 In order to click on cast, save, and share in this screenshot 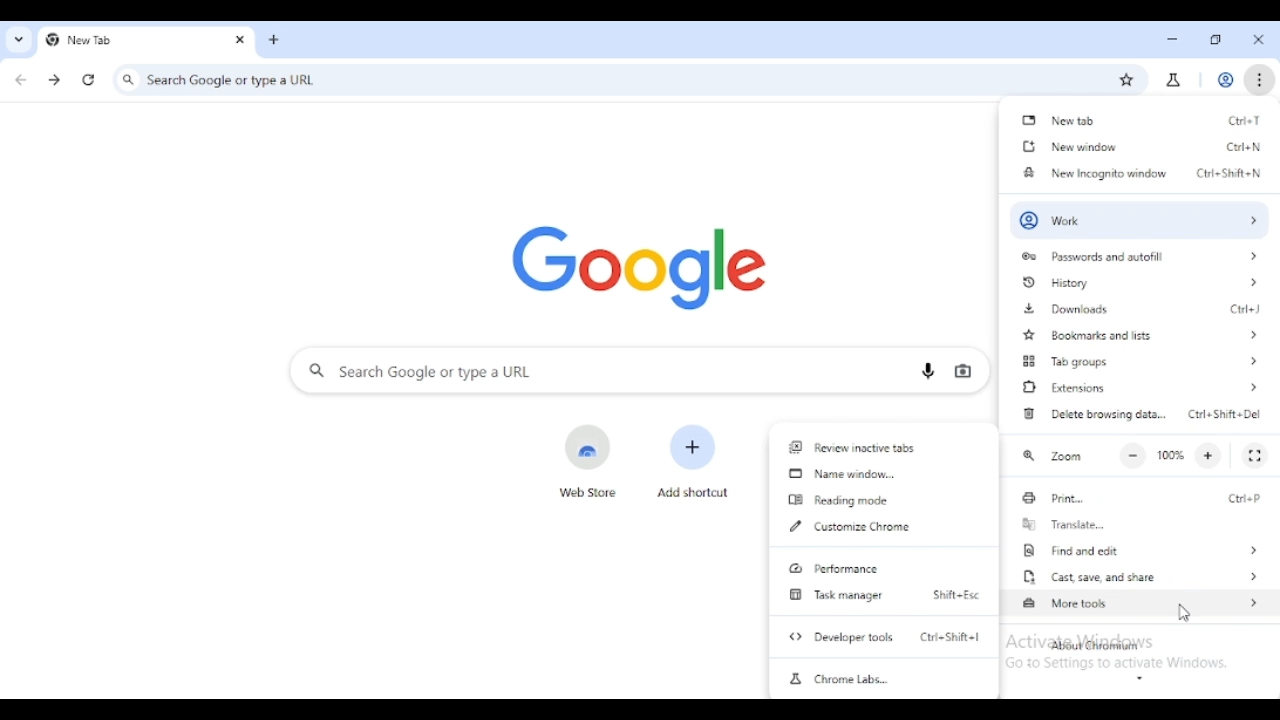, I will do `click(1139, 576)`.